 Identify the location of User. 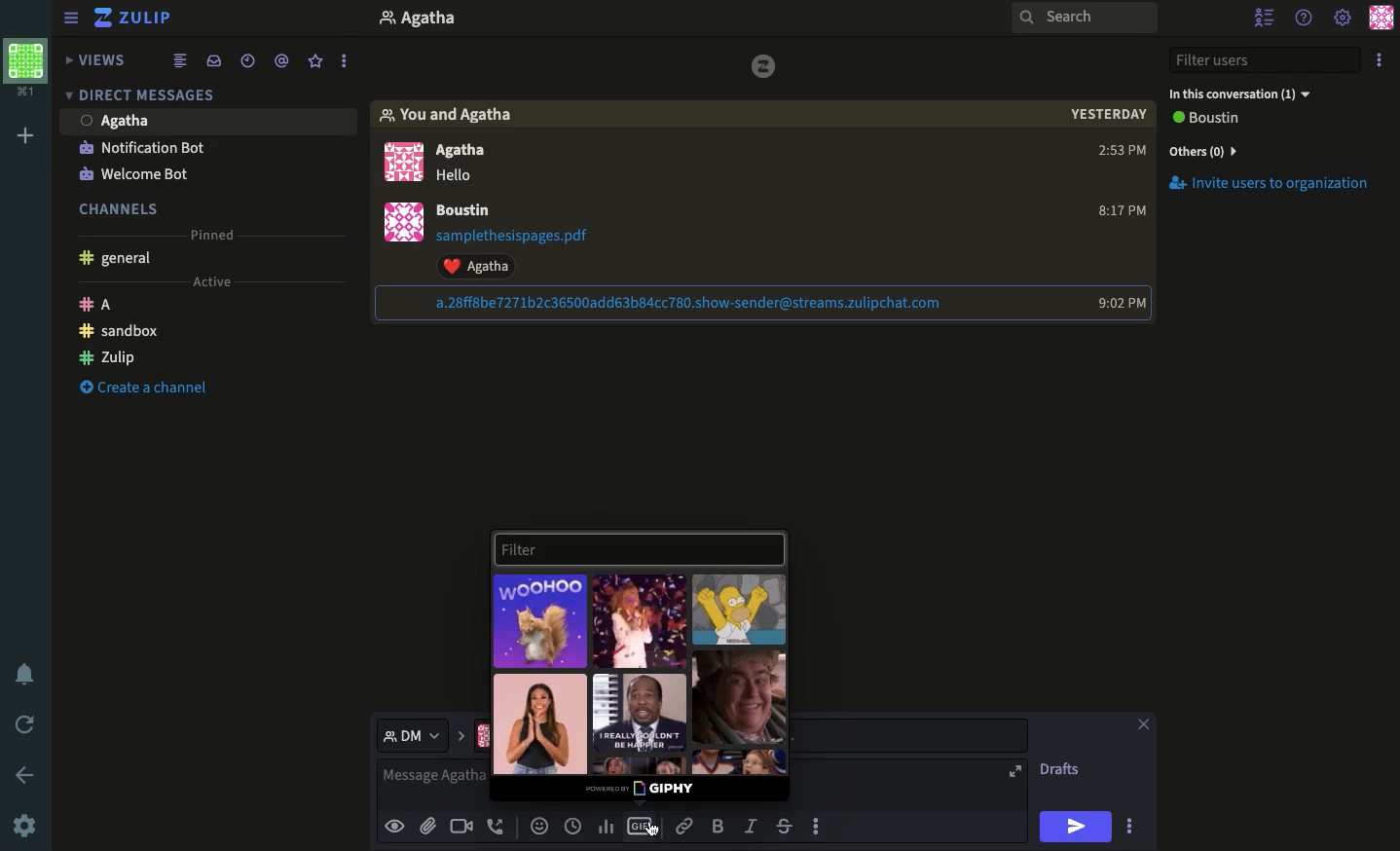
(122, 120).